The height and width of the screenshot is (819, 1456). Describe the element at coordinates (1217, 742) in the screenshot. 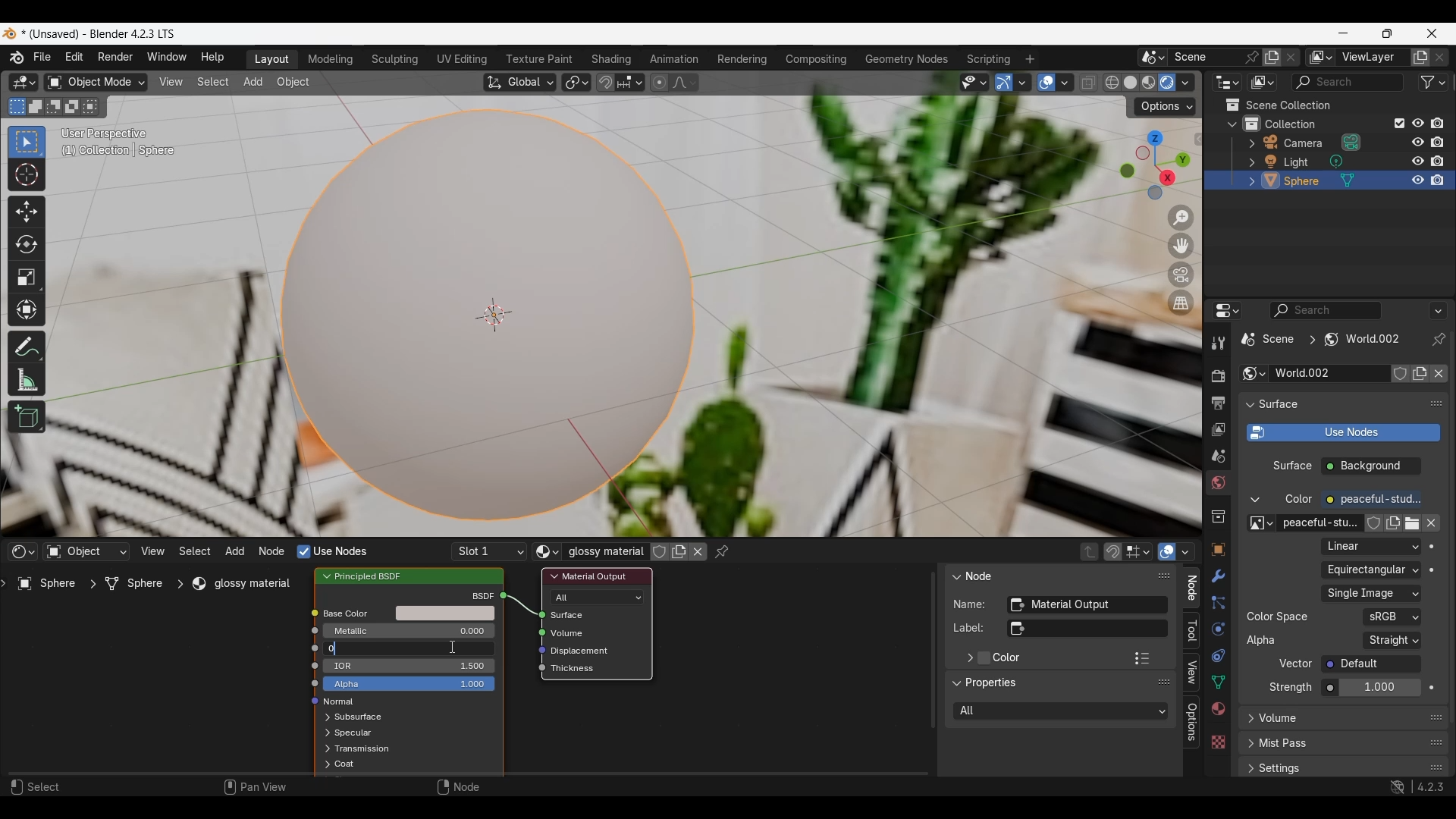

I see `Texture properties` at that location.